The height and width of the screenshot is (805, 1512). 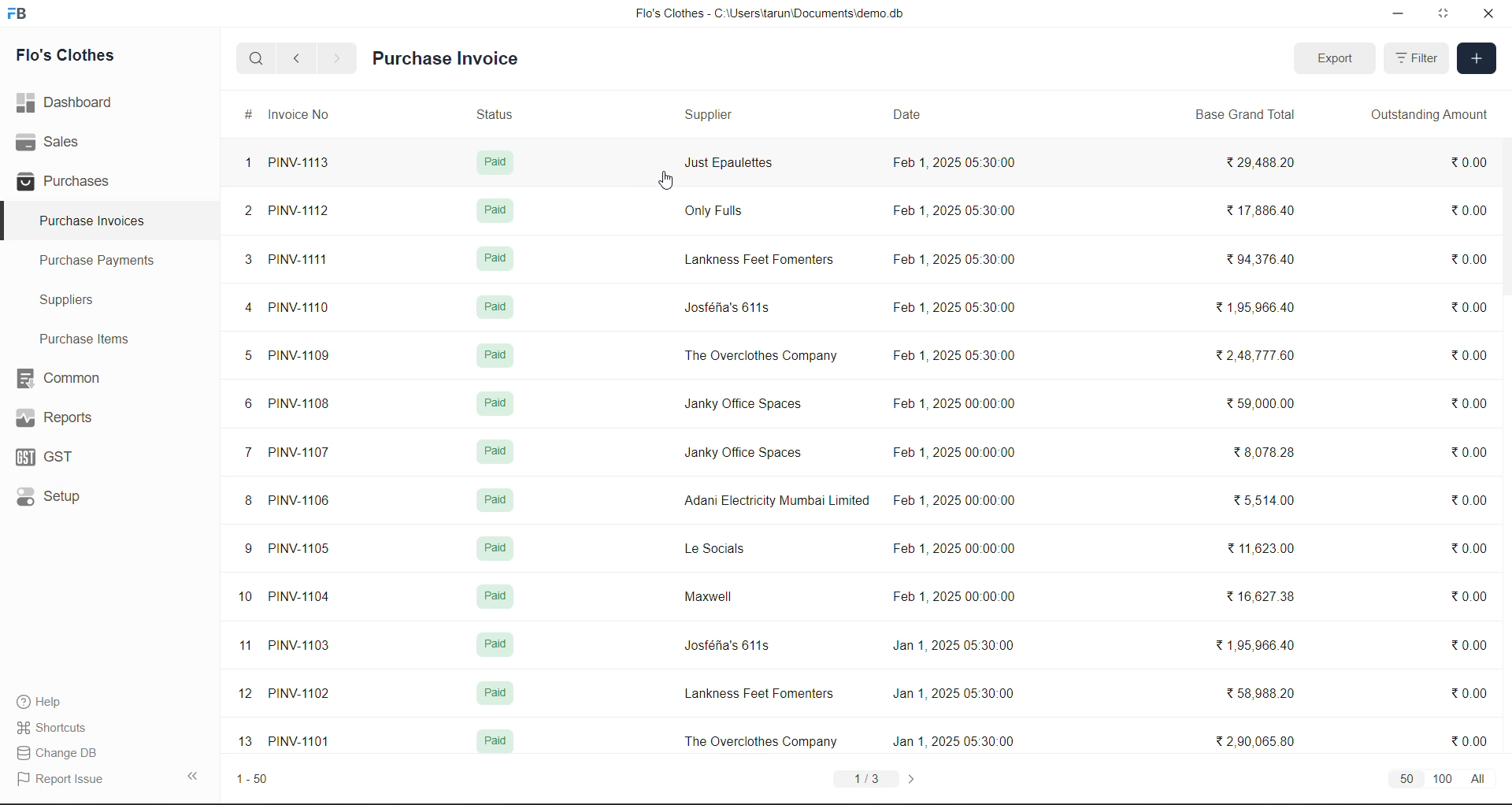 I want to click on Filter, so click(x=1418, y=59).